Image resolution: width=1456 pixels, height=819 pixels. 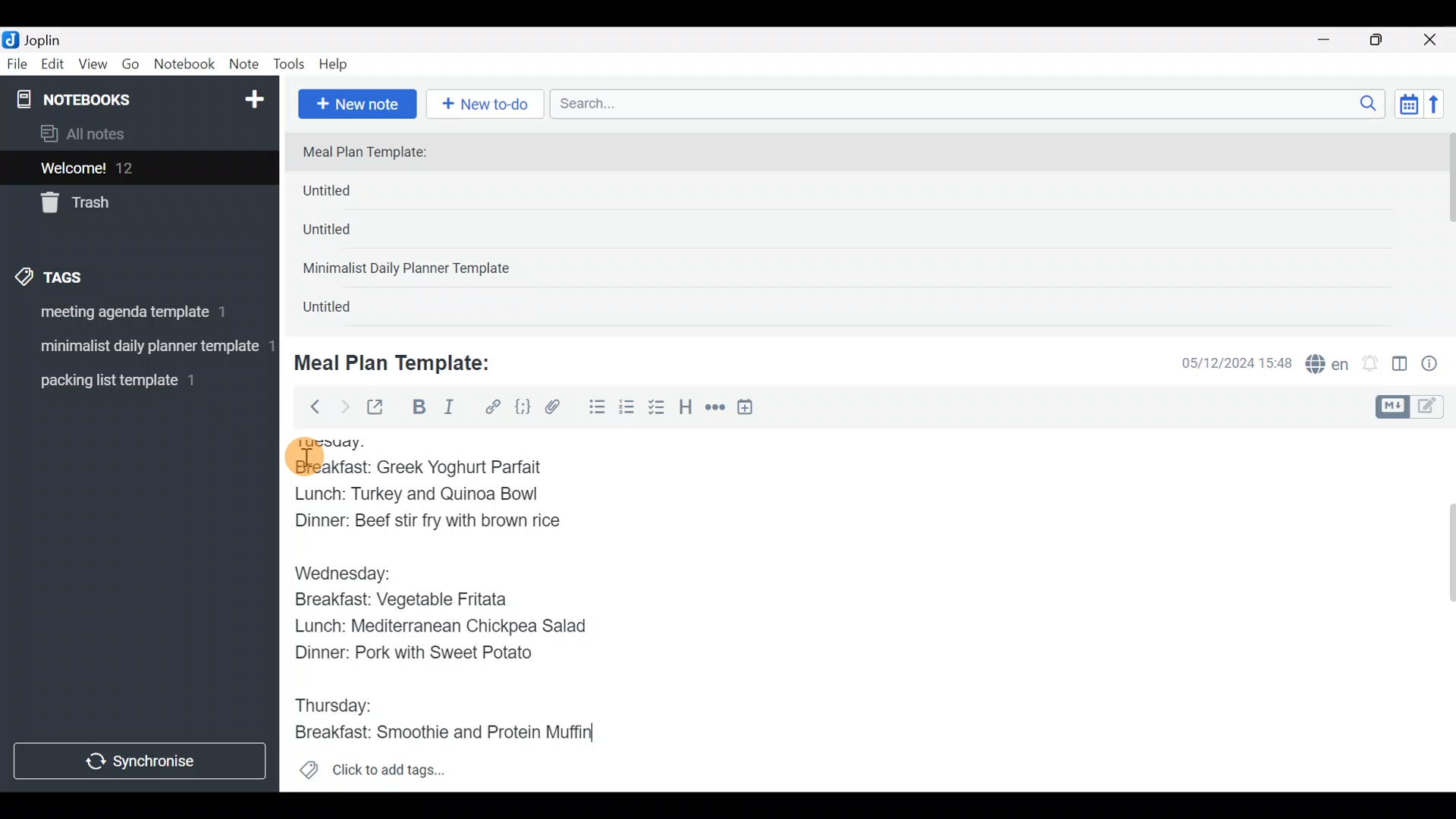 What do you see at coordinates (339, 61) in the screenshot?
I see `Help` at bounding box center [339, 61].